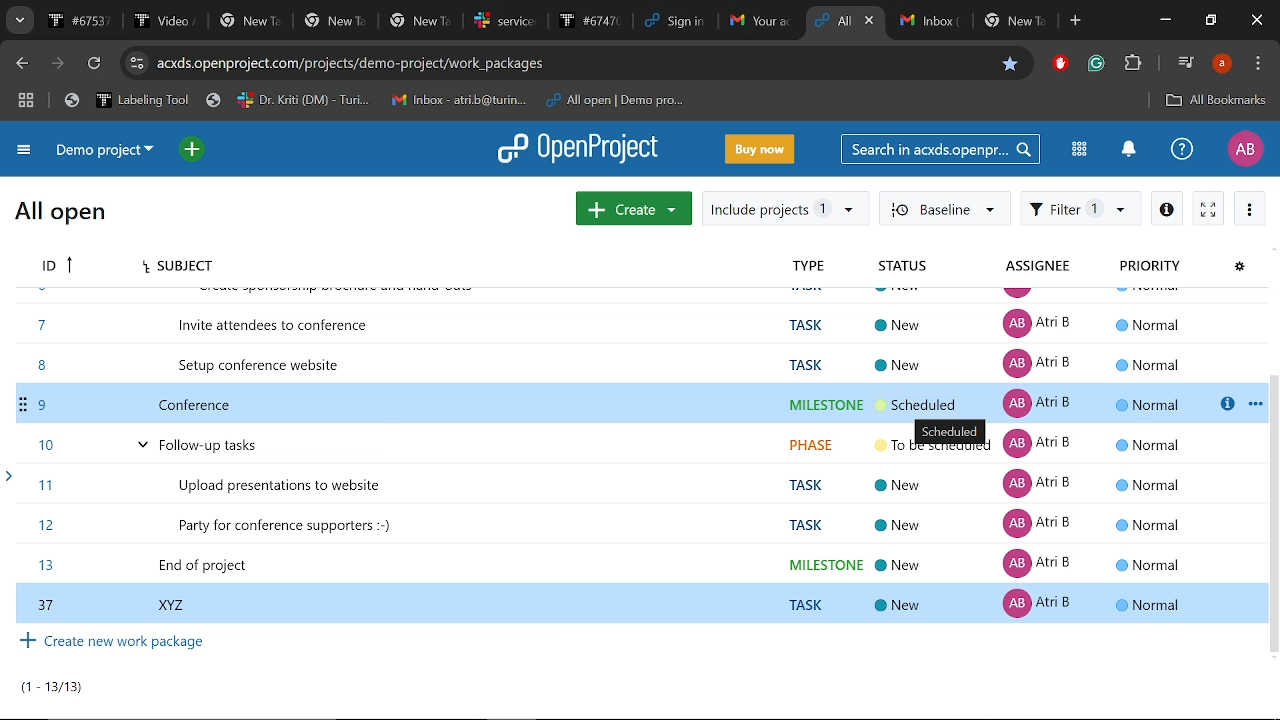 This screenshot has height=720, width=1280. What do you see at coordinates (139, 64) in the screenshot?
I see `Cite info` at bounding box center [139, 64].